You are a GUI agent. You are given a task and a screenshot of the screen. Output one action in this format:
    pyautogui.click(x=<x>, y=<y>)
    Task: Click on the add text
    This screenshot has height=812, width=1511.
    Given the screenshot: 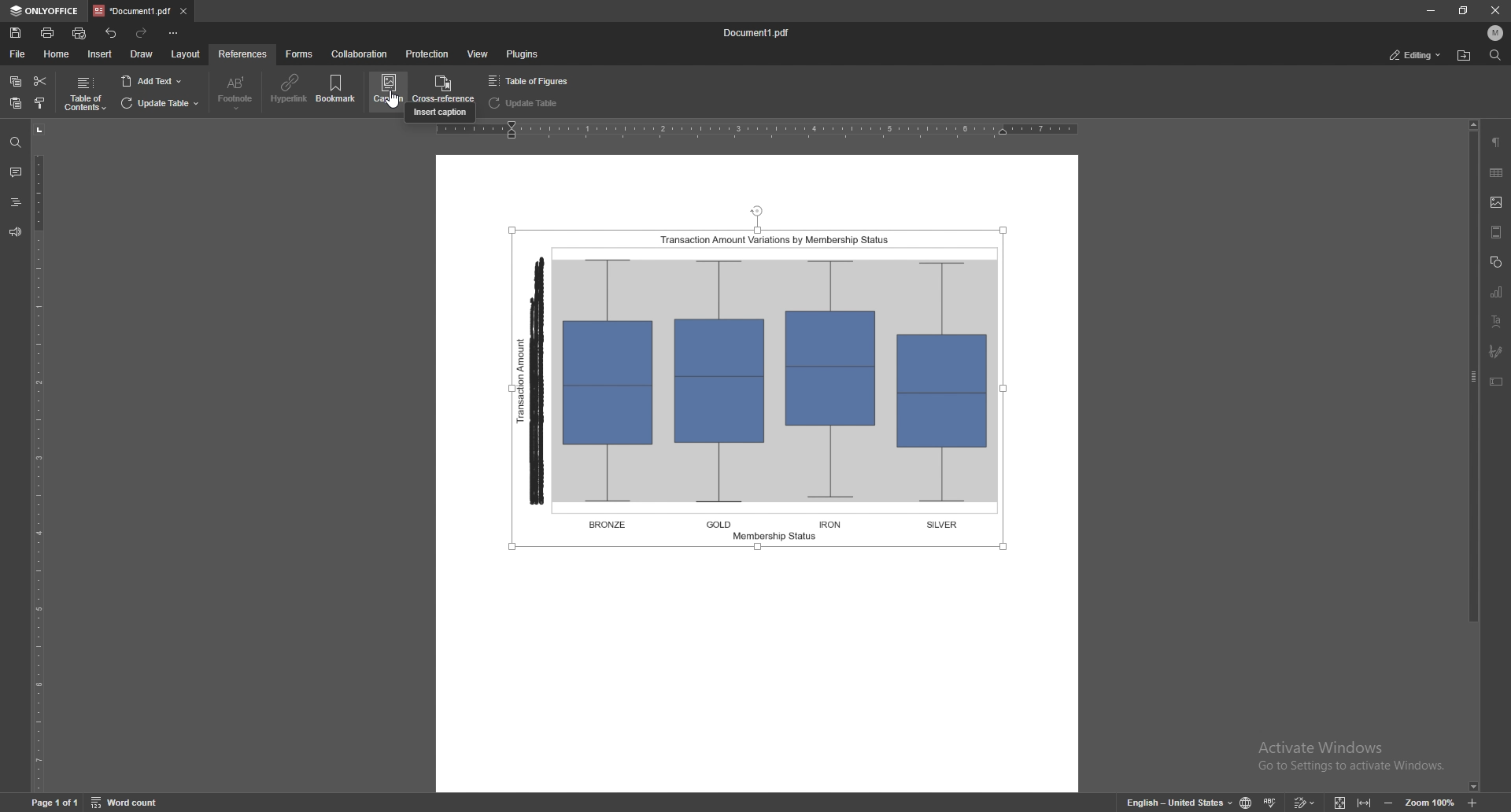 What is the action you would take?
    pyautogui.click(x=151, y=81)
    